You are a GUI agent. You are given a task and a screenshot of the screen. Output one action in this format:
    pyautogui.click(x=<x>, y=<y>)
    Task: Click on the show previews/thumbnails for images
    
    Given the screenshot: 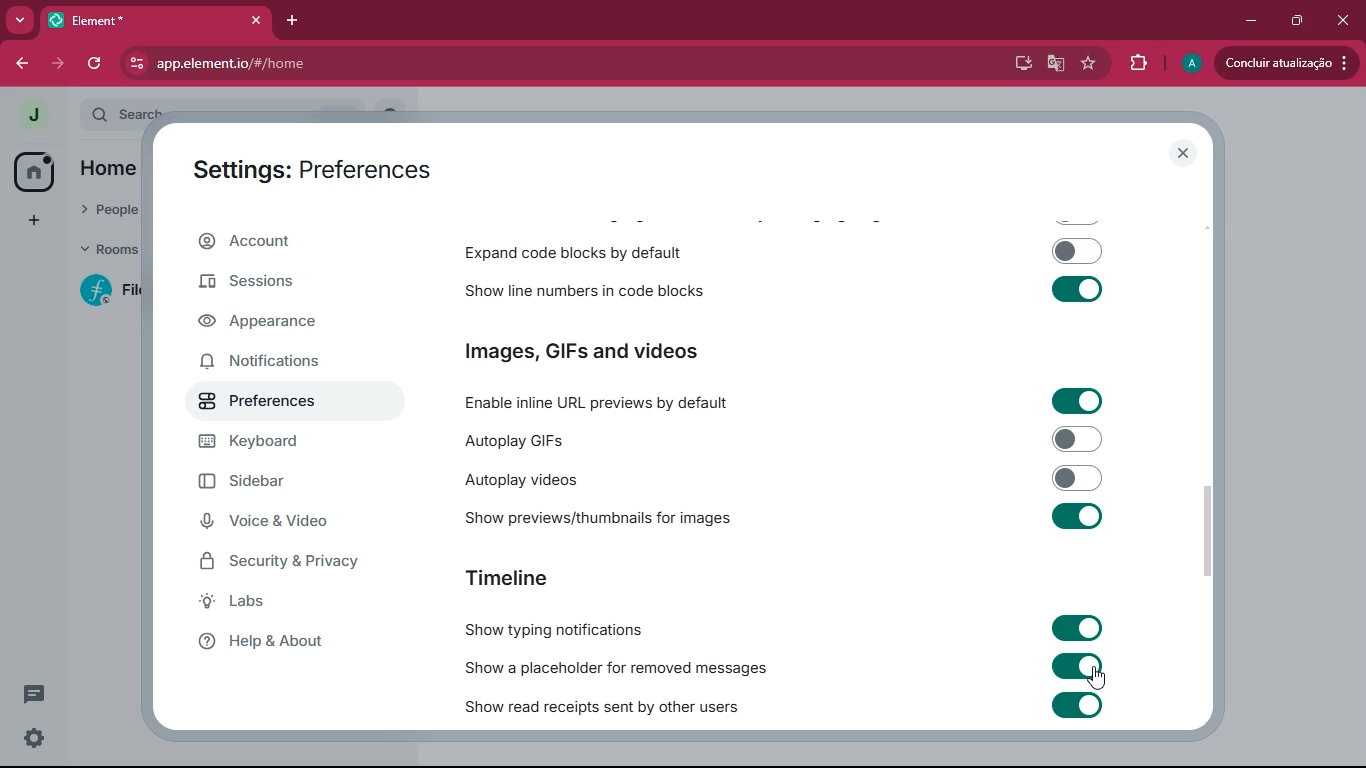 What is the action you would take?
    pyautogui.click(x=601, y=517)
    